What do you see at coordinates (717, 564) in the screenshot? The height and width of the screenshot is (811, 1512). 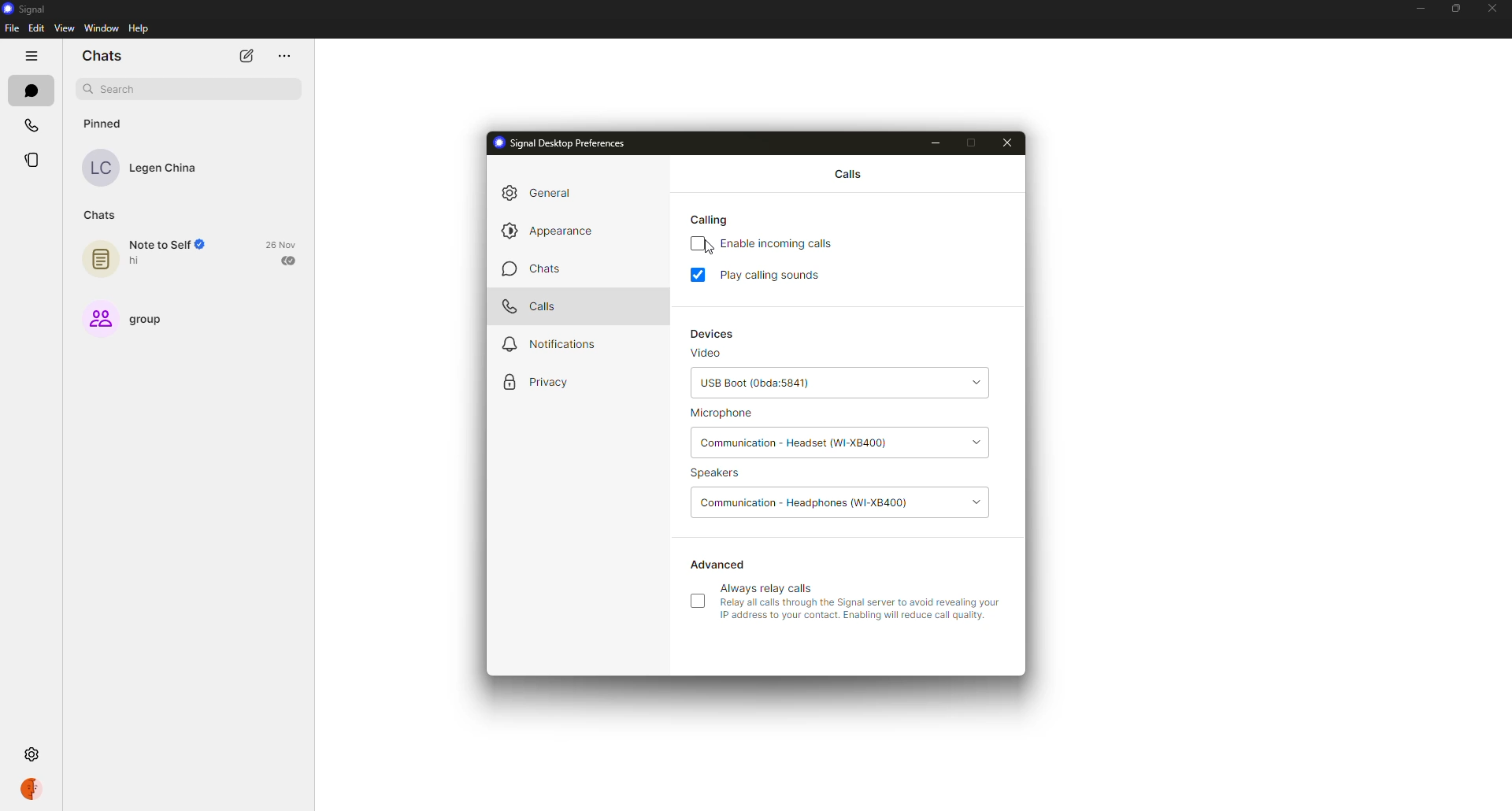 I see `advanced` at bounding box center [717, 564].